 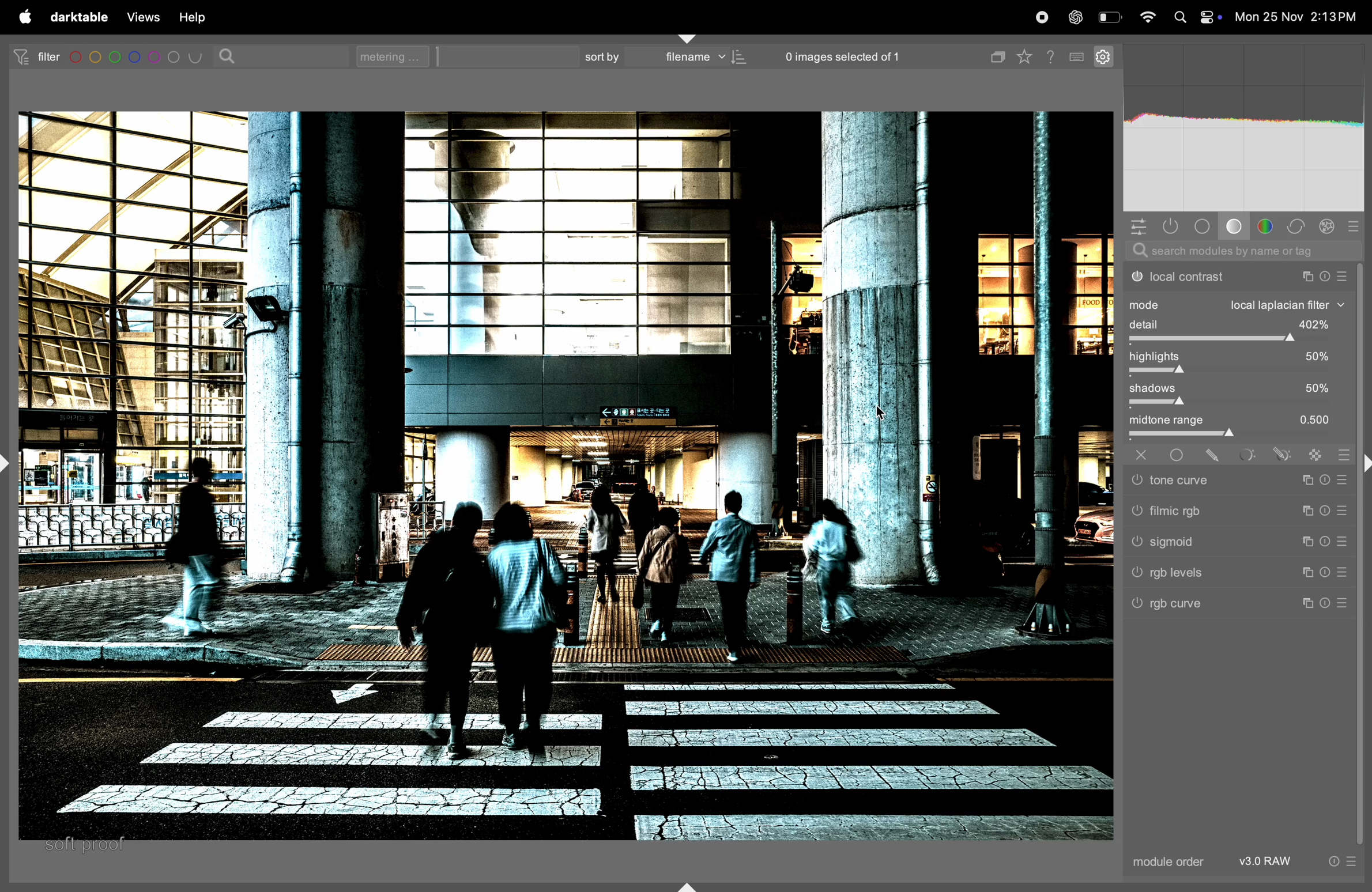 What do you see at coordinates (1170, 862) in the screenshot?
I see `module order` at bounding box center [1170, 862].